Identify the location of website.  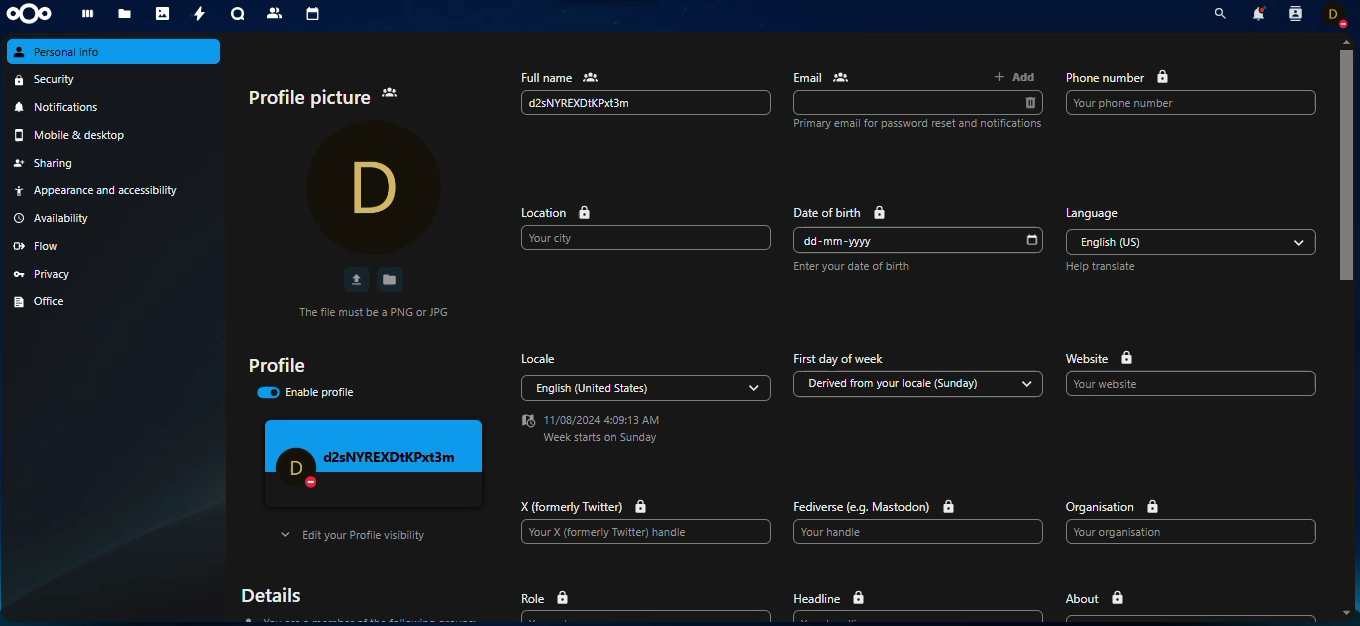
(1099, 357).